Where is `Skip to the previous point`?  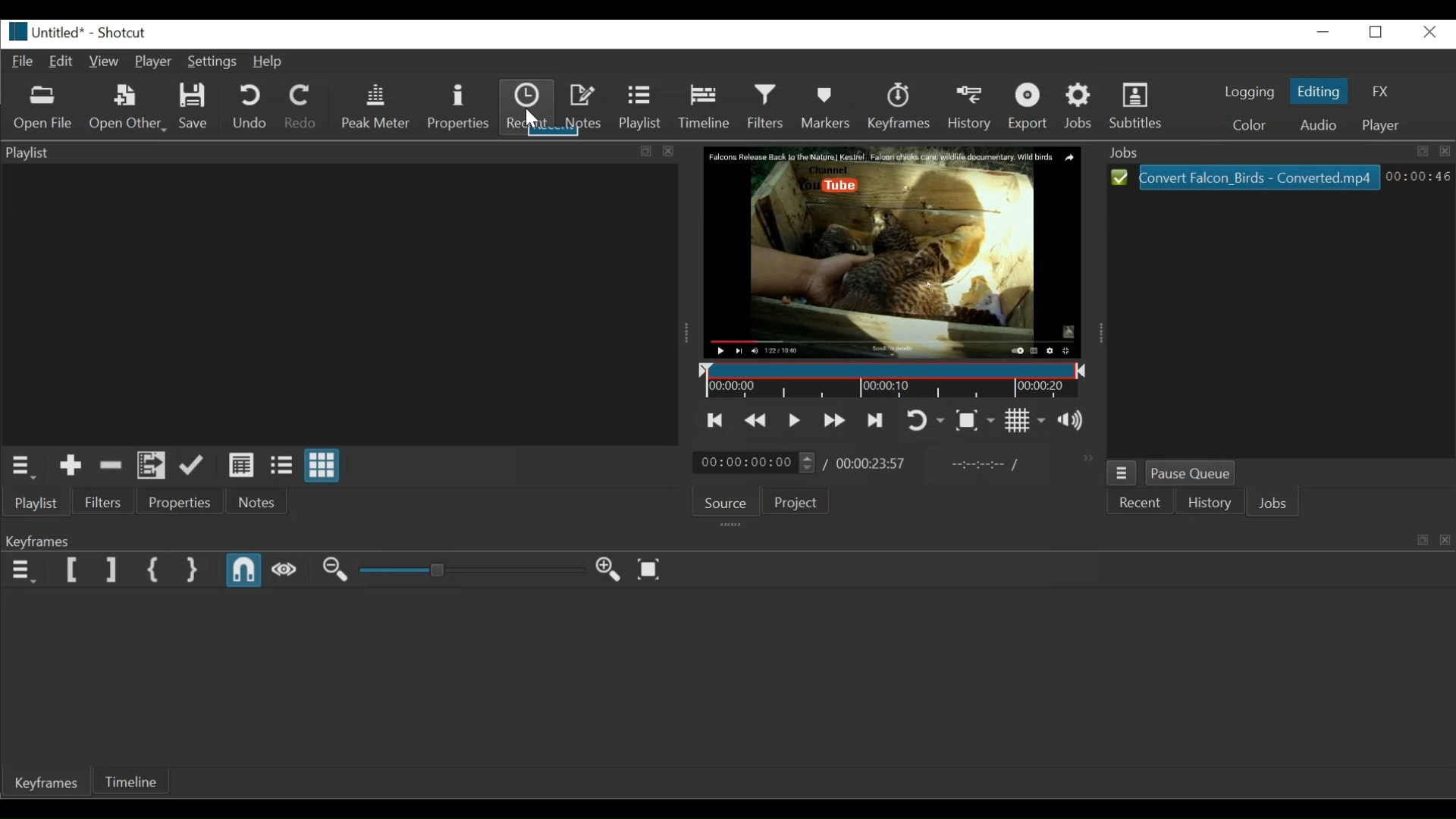 Skip to the previous point is located at coordinates (714, 421).